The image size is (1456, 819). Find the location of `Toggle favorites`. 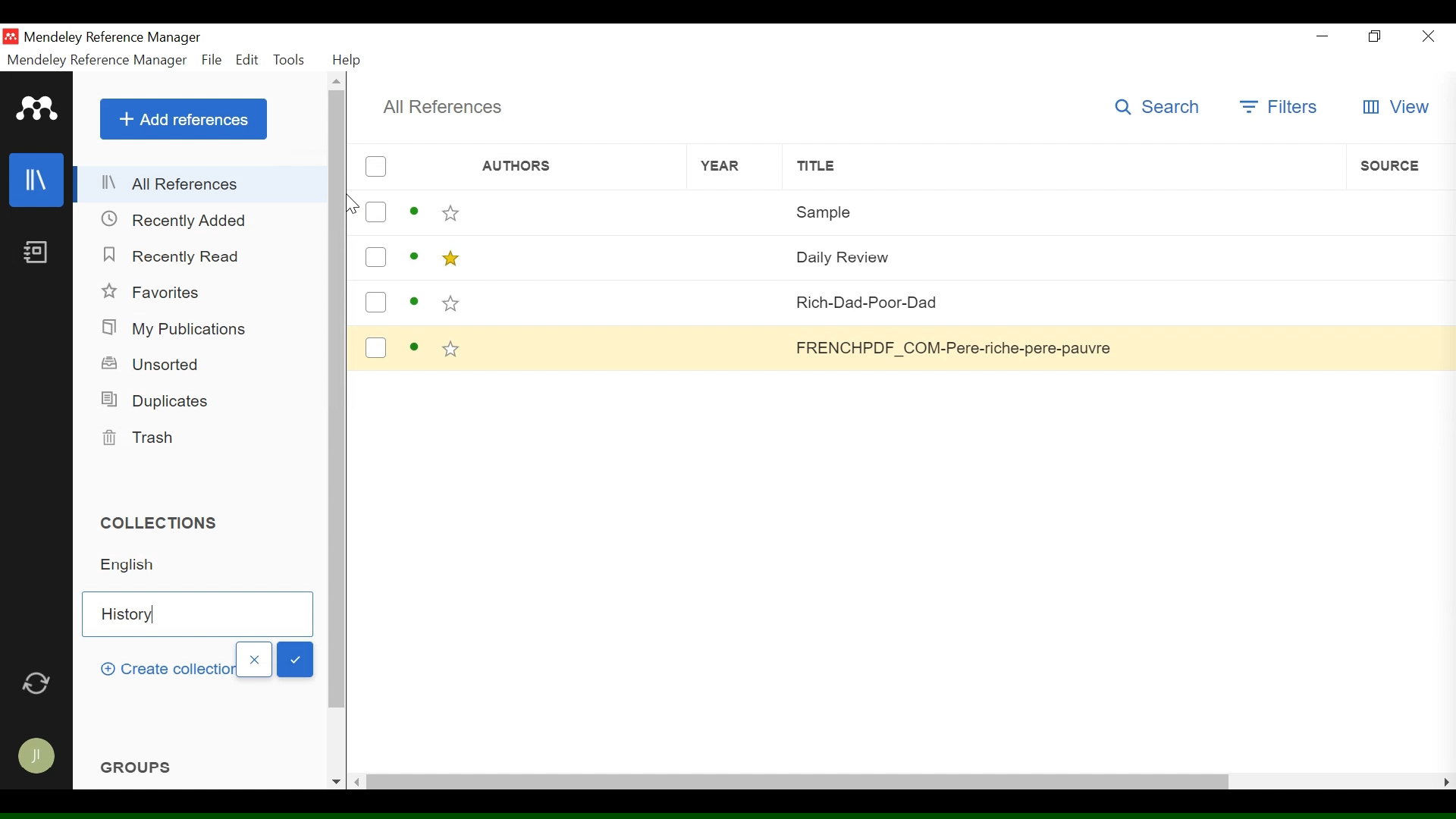

Toggle favorites is located at coordinates (451, 215).